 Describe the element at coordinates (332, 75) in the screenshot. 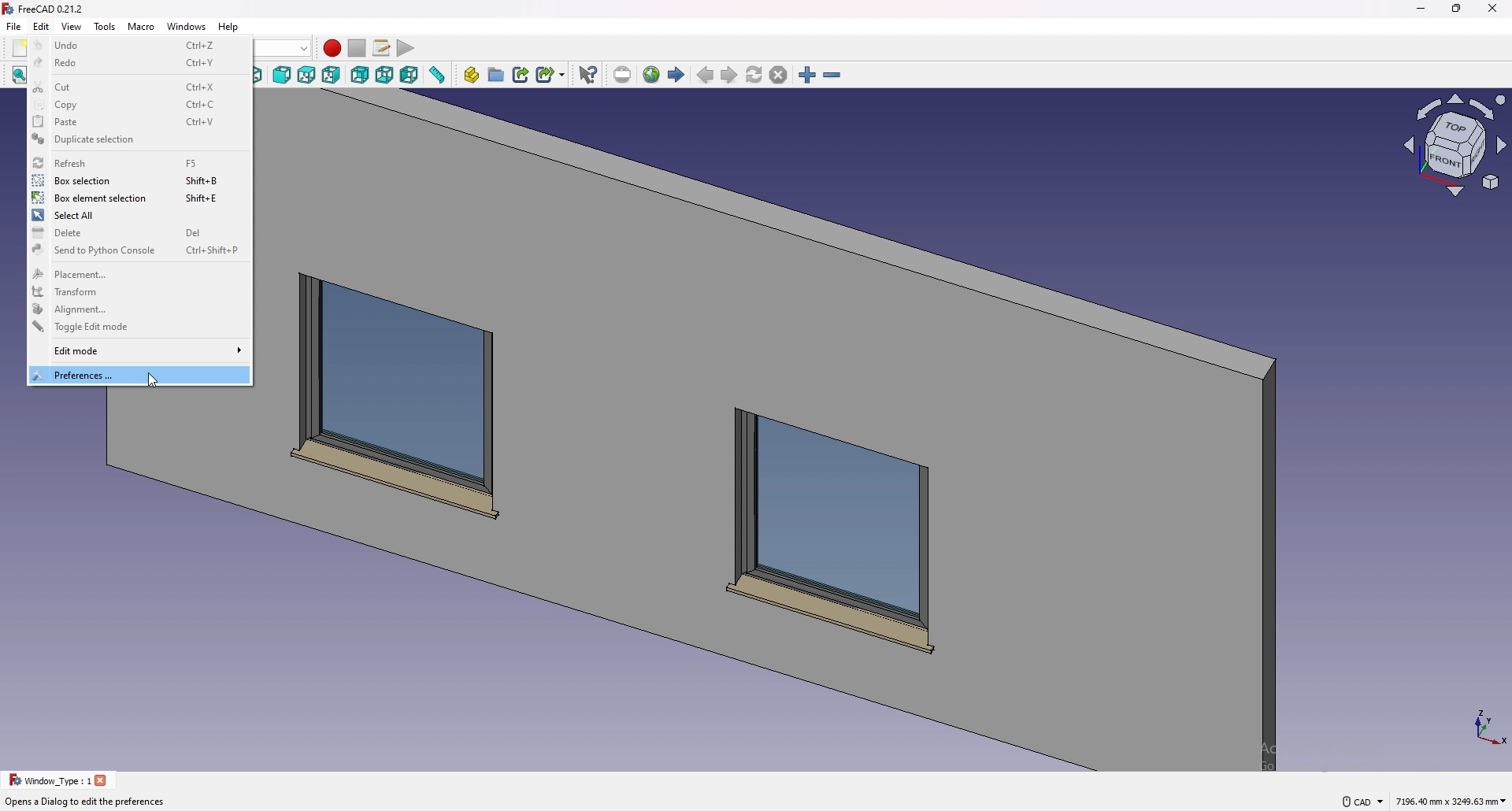

I see `right` at that location.